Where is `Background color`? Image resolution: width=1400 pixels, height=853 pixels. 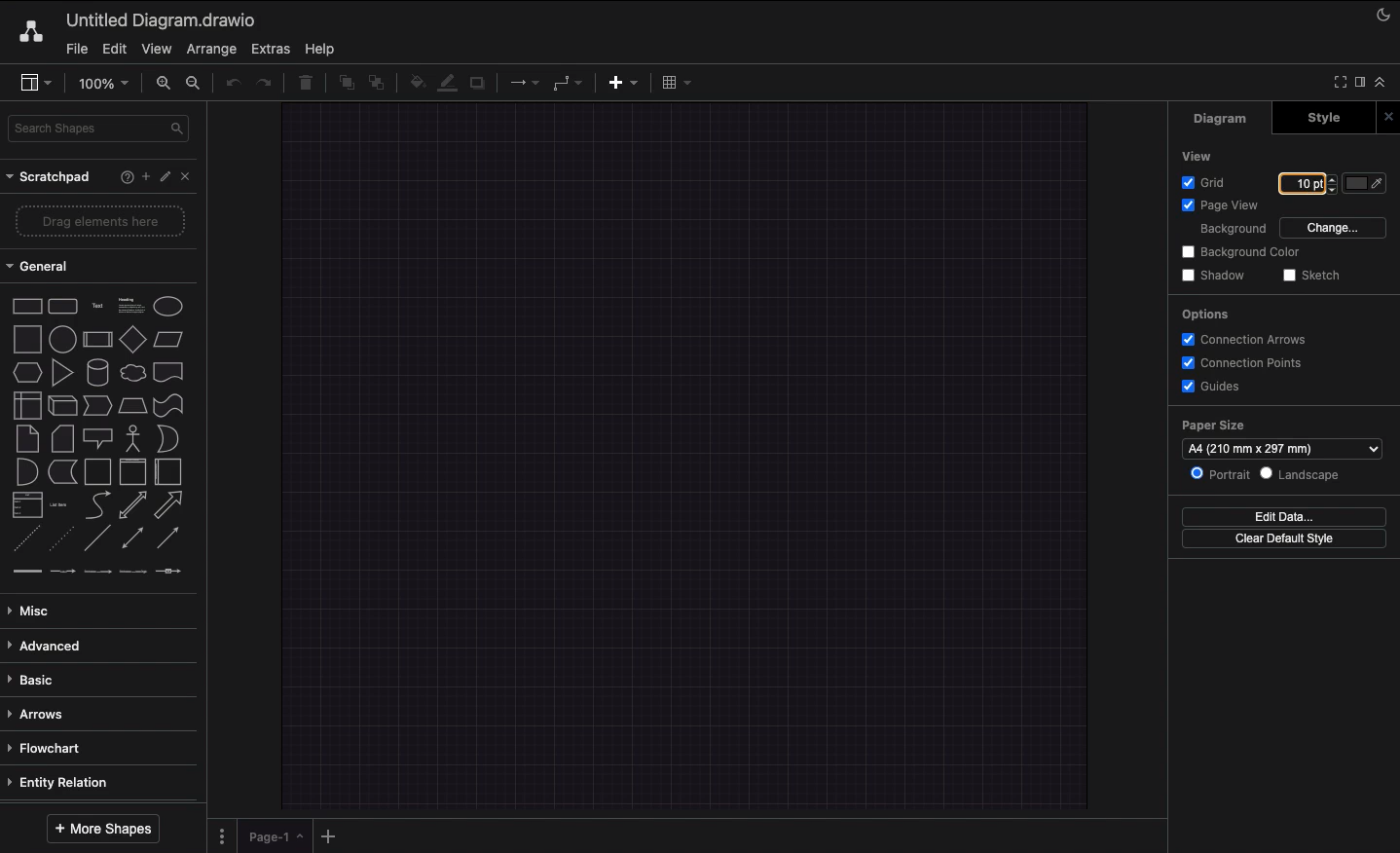 Background color is located at coordinates (1237, 253).